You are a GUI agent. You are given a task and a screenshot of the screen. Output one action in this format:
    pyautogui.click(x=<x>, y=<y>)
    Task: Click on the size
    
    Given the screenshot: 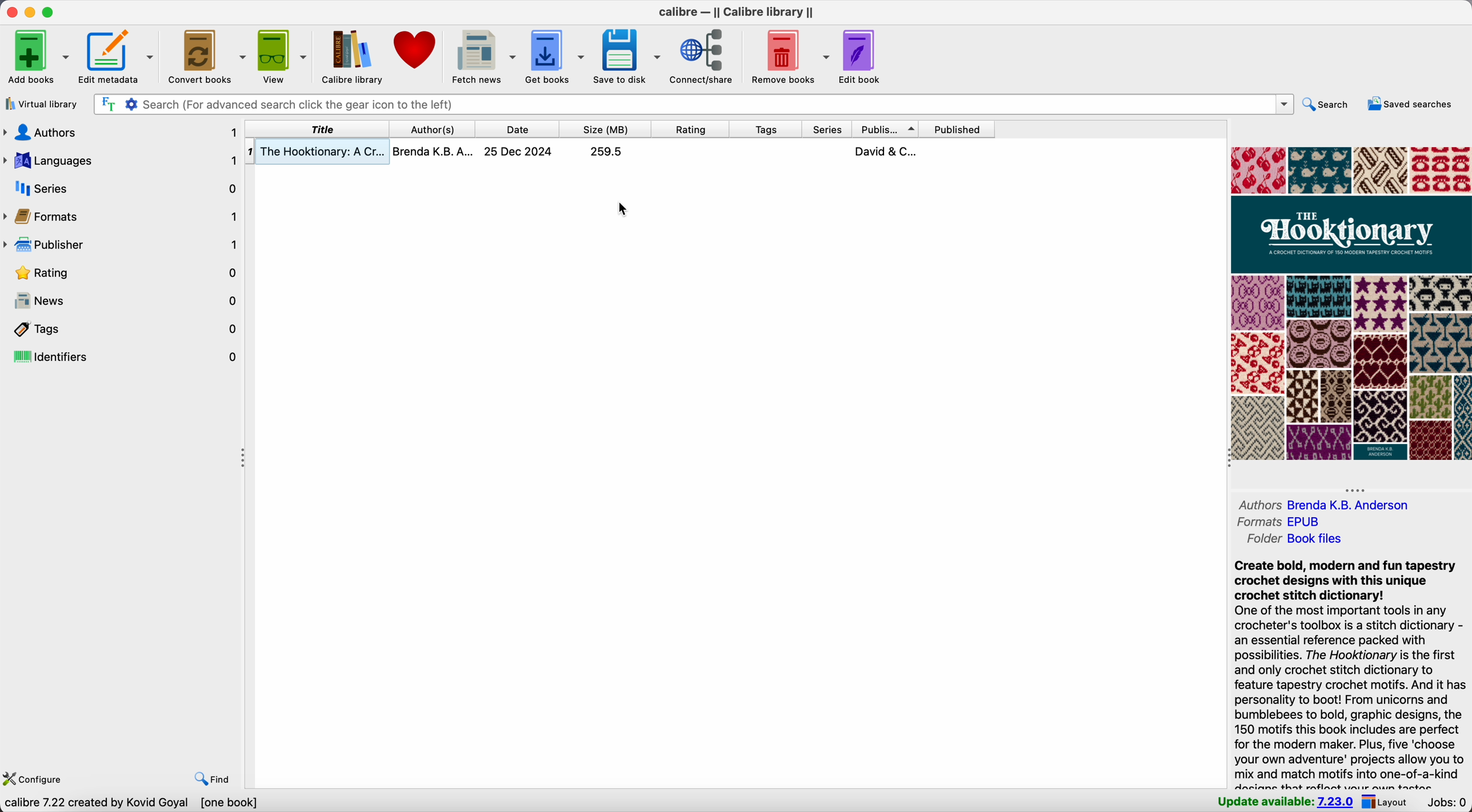 What is the action you would take?
    pyautogui.click(x=606, y=129)
    